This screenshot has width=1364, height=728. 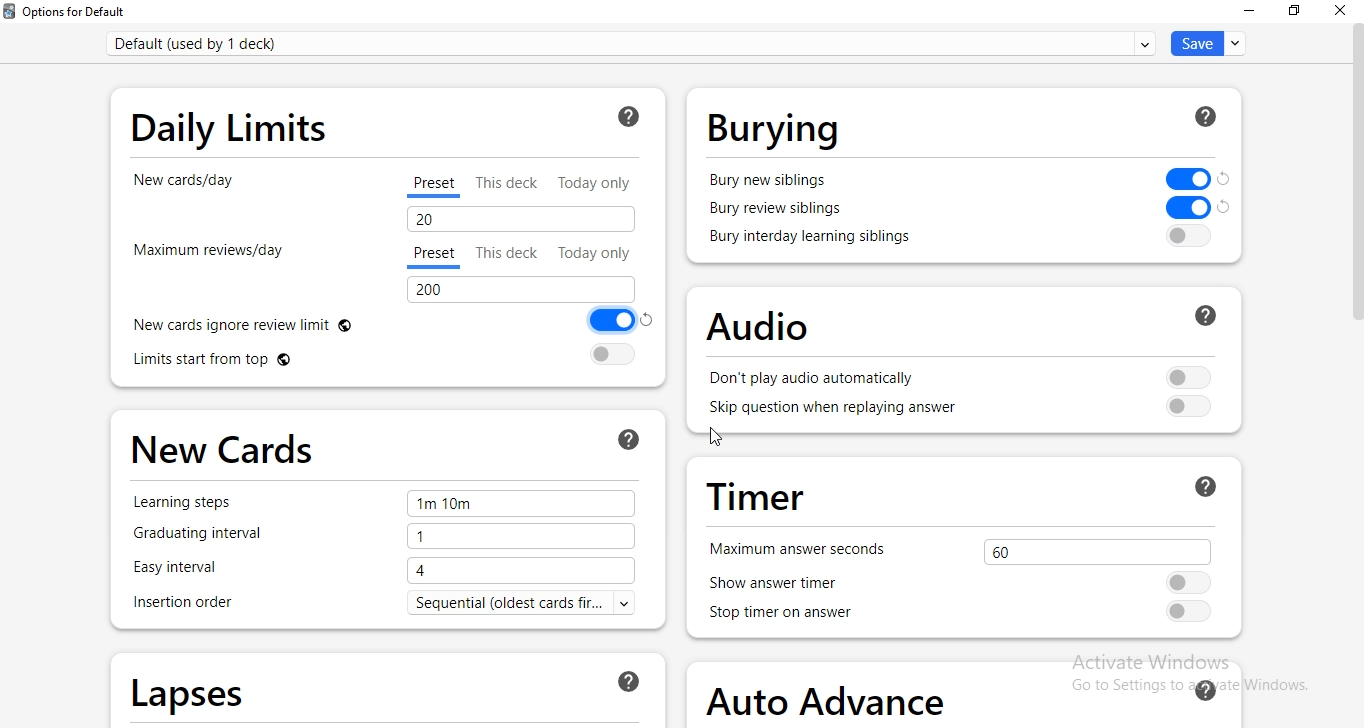 I want to click on stop timer on answer, so click(x=794, y=614).